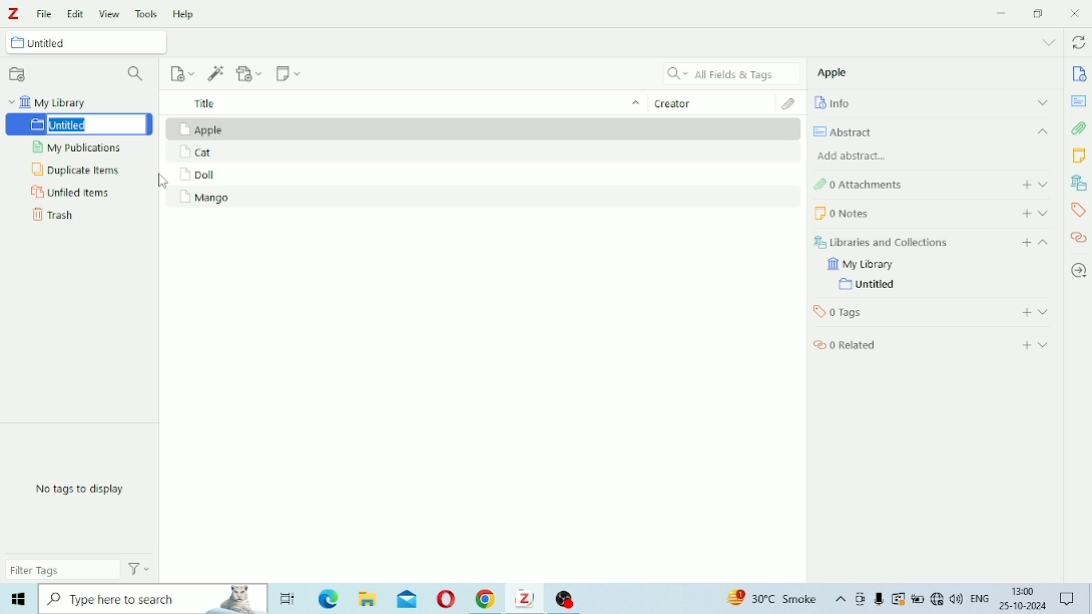  I want to click on Sync, so click(1079, 42).